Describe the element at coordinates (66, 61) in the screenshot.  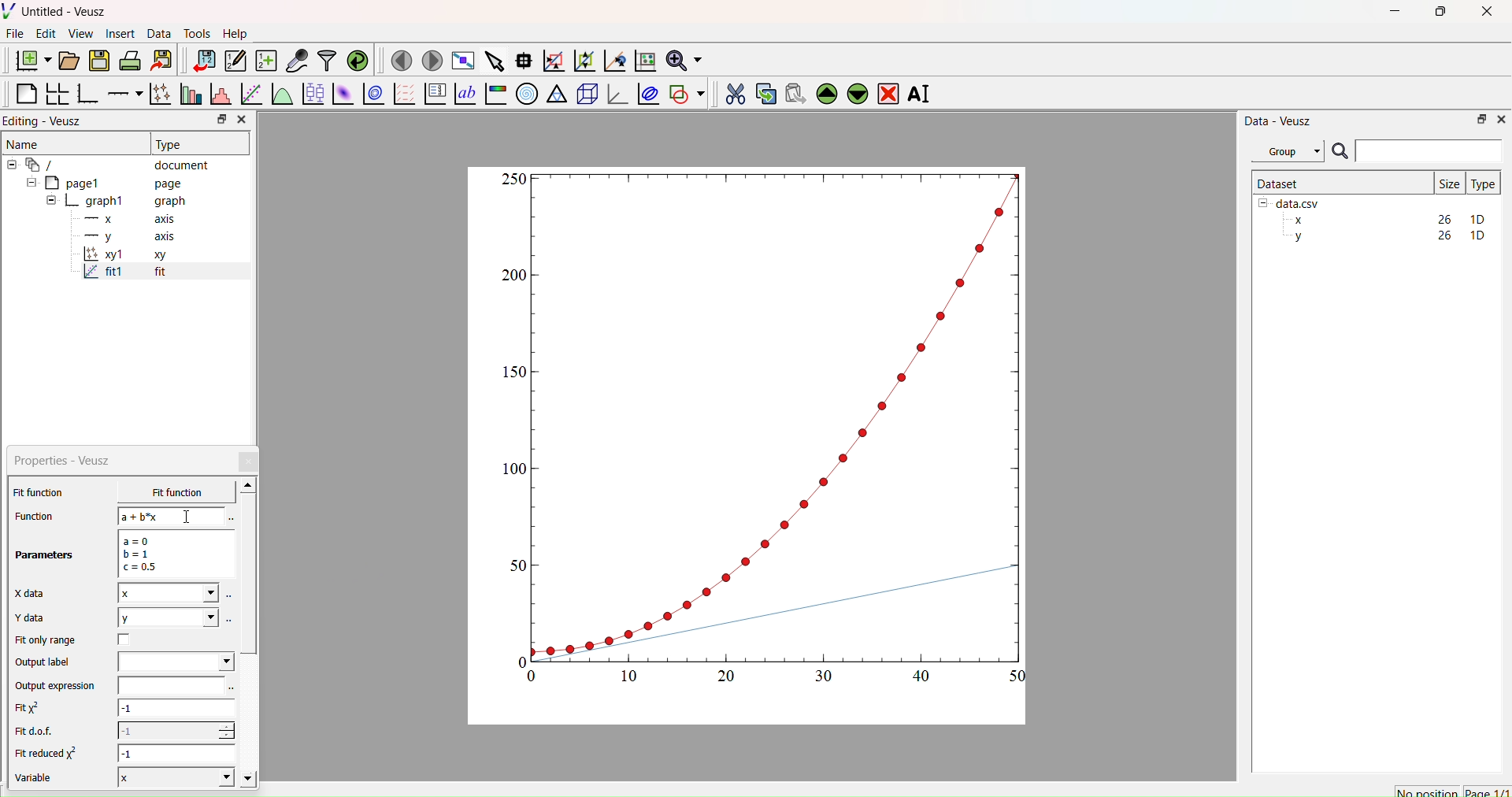
I see `Open` at that location.